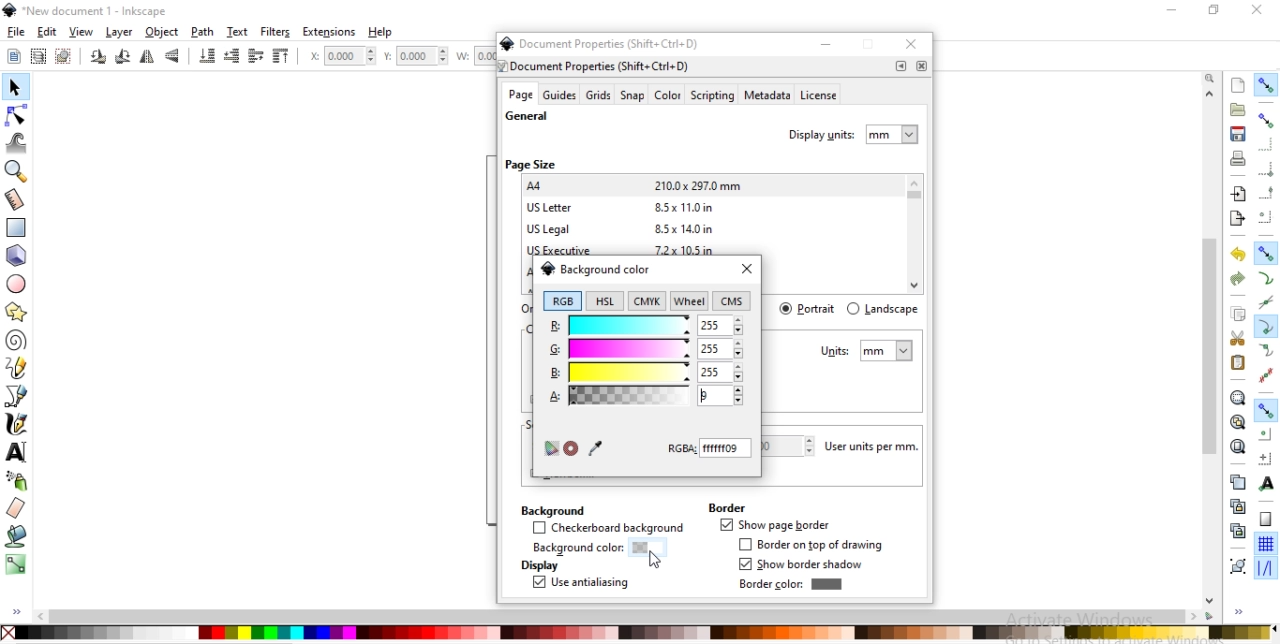  I want to click on edit paths by nodes, so click(15, 118).